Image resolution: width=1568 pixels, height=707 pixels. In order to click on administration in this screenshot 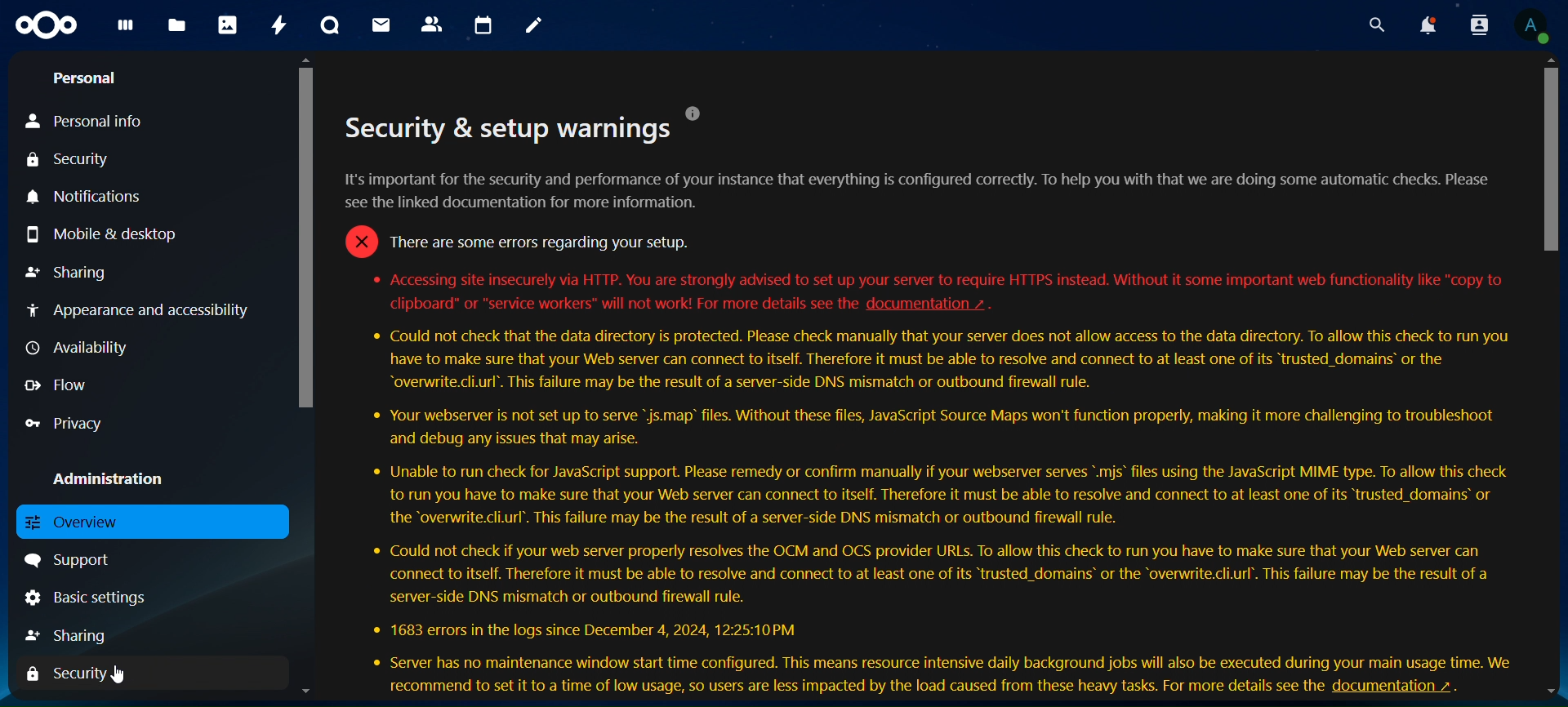, I will do `click(121, 481)`.